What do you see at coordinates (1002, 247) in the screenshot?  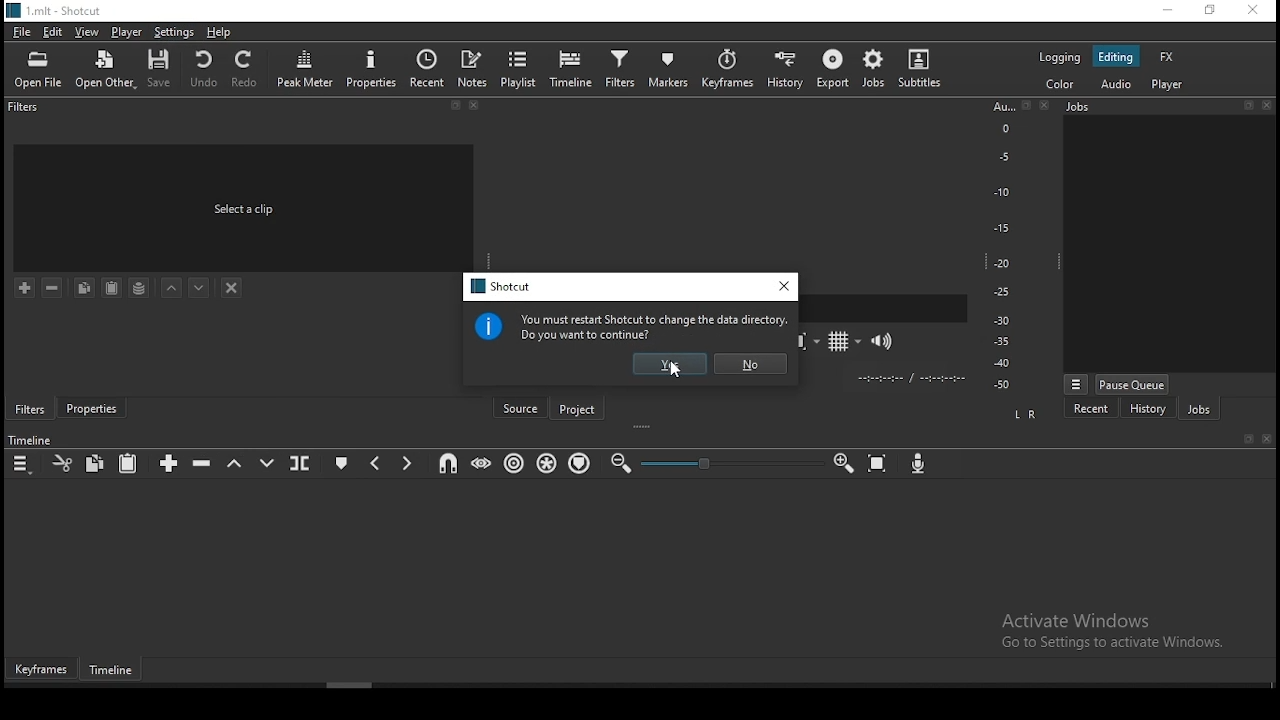 I see `scale` at bounding box center [1002, 247].